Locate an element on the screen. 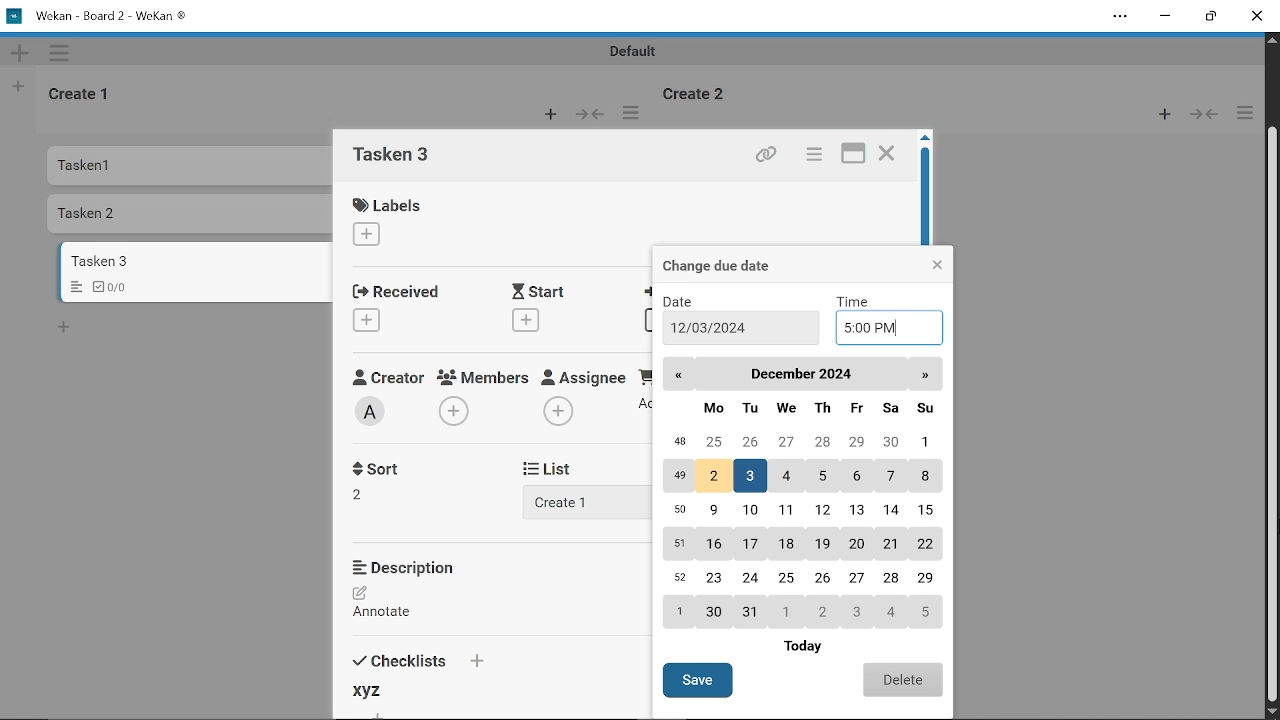 This screenshot has width=1280, height=720. Change due date is located at coordinates (738, 264).